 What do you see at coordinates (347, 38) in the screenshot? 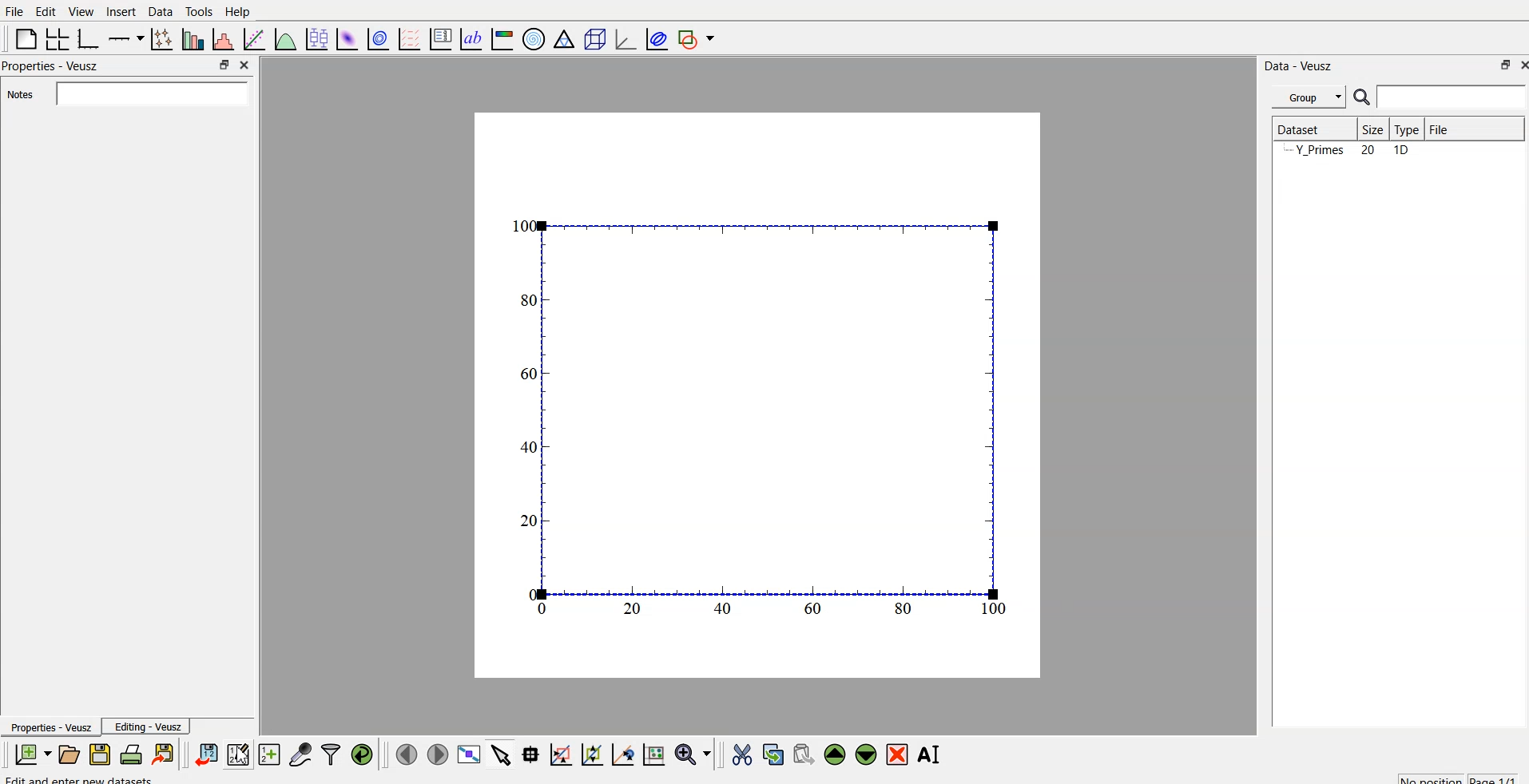
I see `plot dataset` at bounding box center [347, 38].